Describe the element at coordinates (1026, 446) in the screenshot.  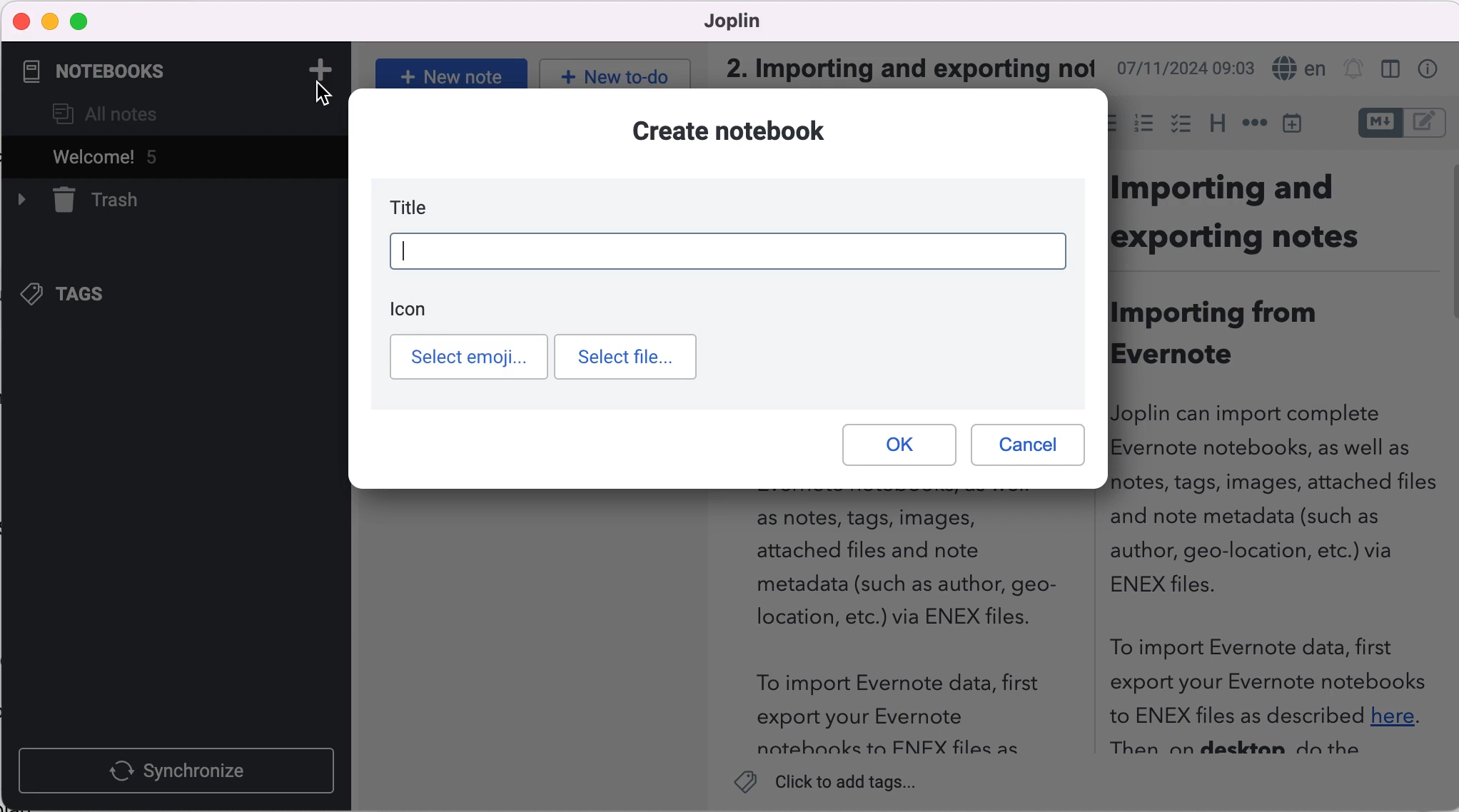
I see `cancel` at that location.